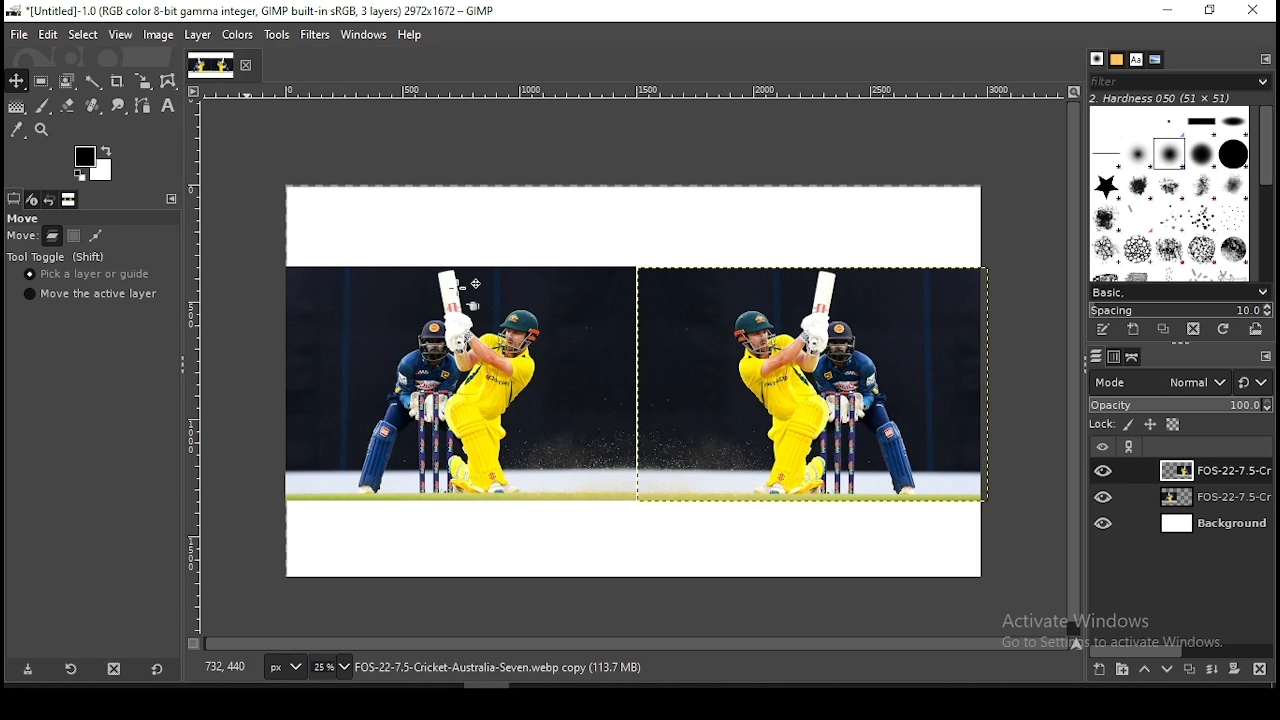 The image size is (1280, 720). Describe the element at coordinates (1168, 672) in the screenshot. I see `move layer on step down` at that location.